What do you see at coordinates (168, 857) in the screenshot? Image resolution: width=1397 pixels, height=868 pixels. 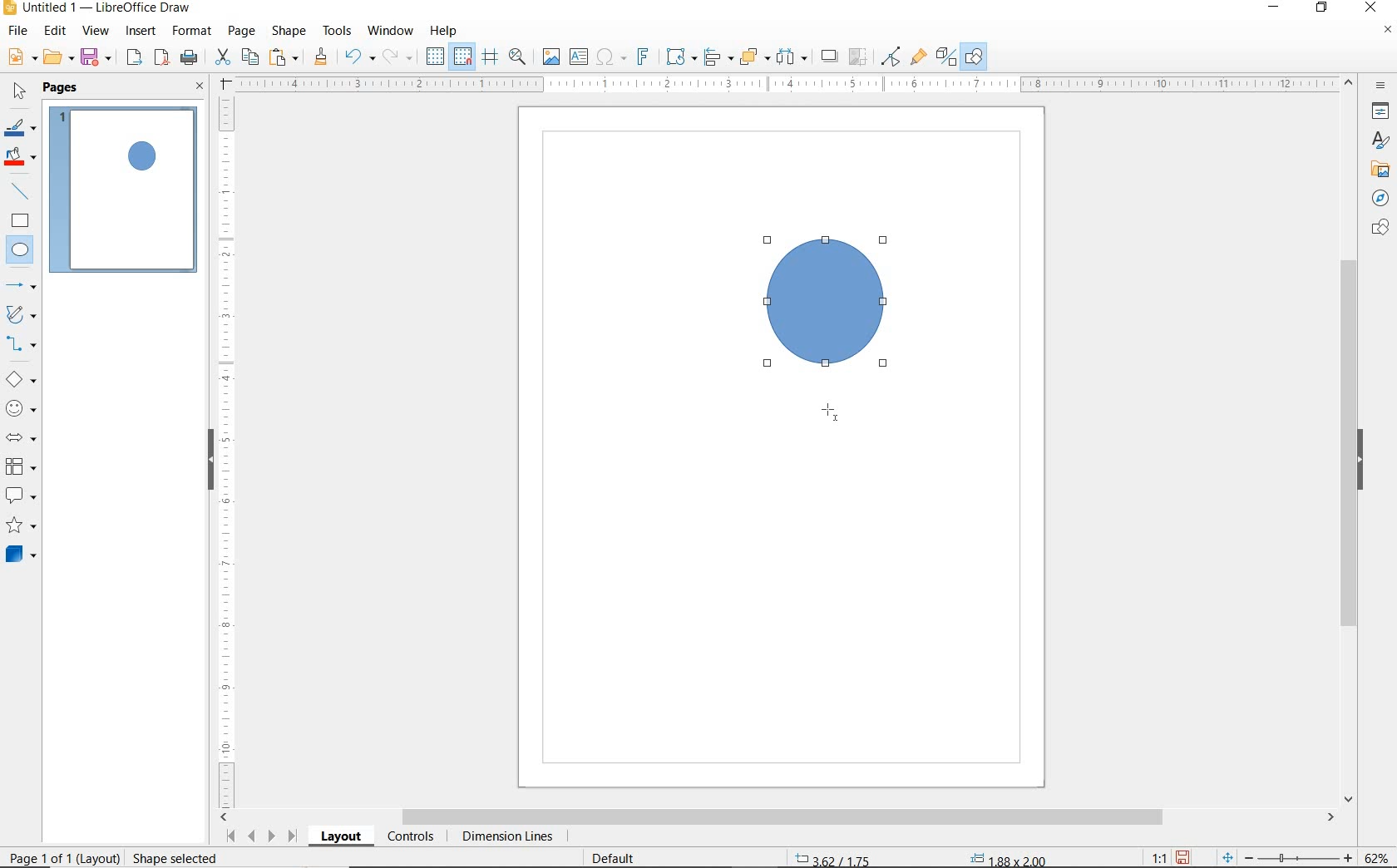 I see `rESIZE sHAPE` at bounding box center [168, 857].